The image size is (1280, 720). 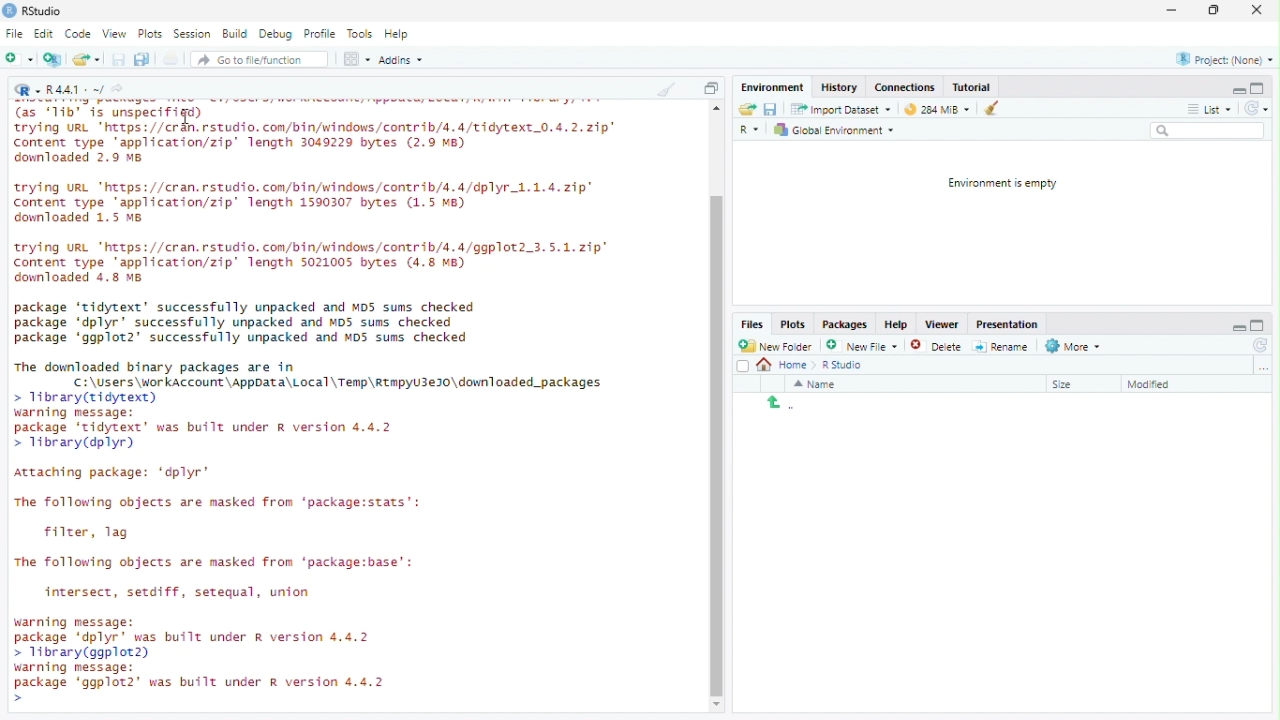 What do you see at coordinates (400, 59) in the screenshot?
I see `Addins ~` at bounding box center [400, 59].